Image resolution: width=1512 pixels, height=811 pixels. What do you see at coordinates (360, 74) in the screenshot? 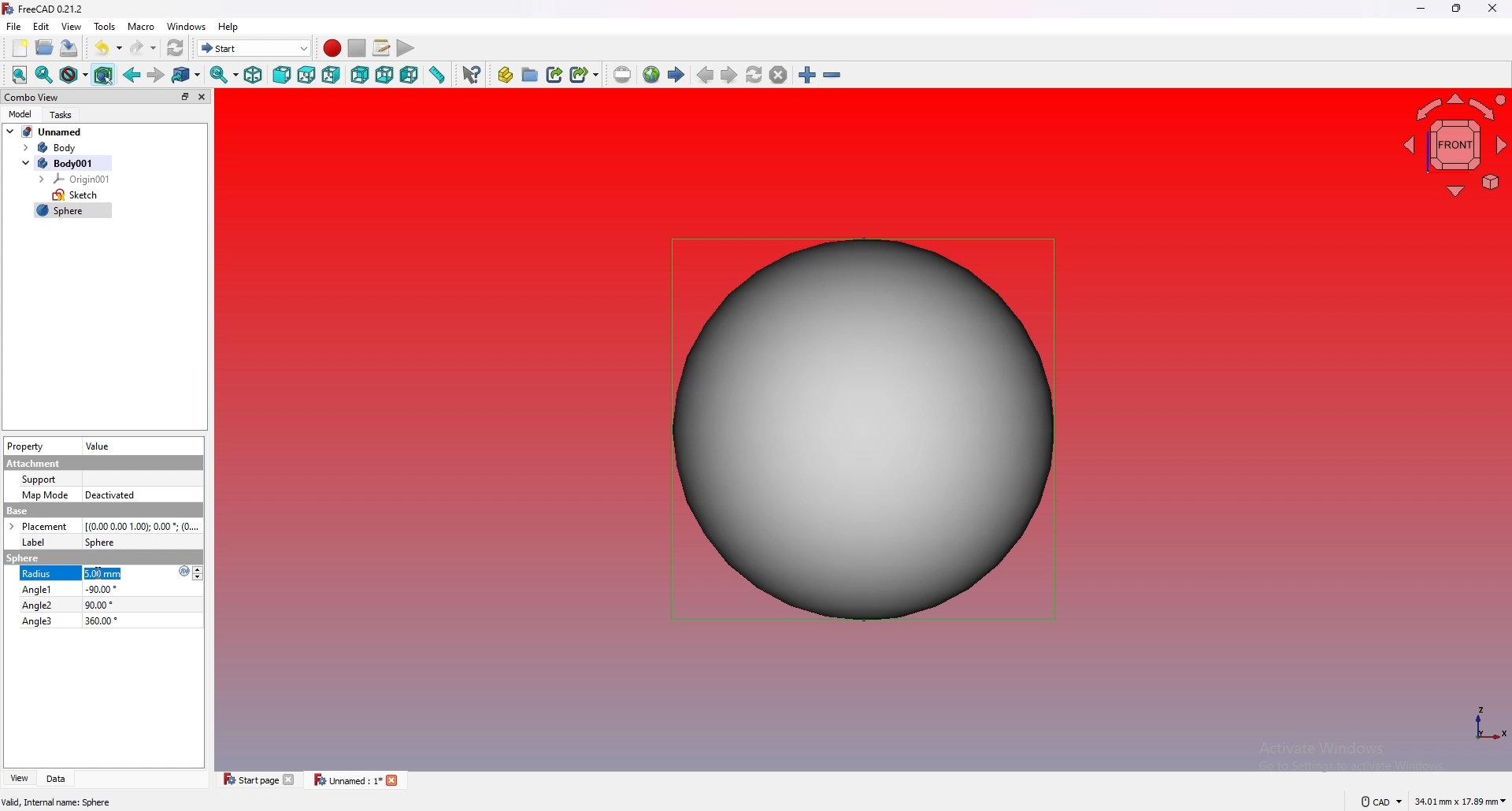
I see `rear` at bounding box center [360, 74].